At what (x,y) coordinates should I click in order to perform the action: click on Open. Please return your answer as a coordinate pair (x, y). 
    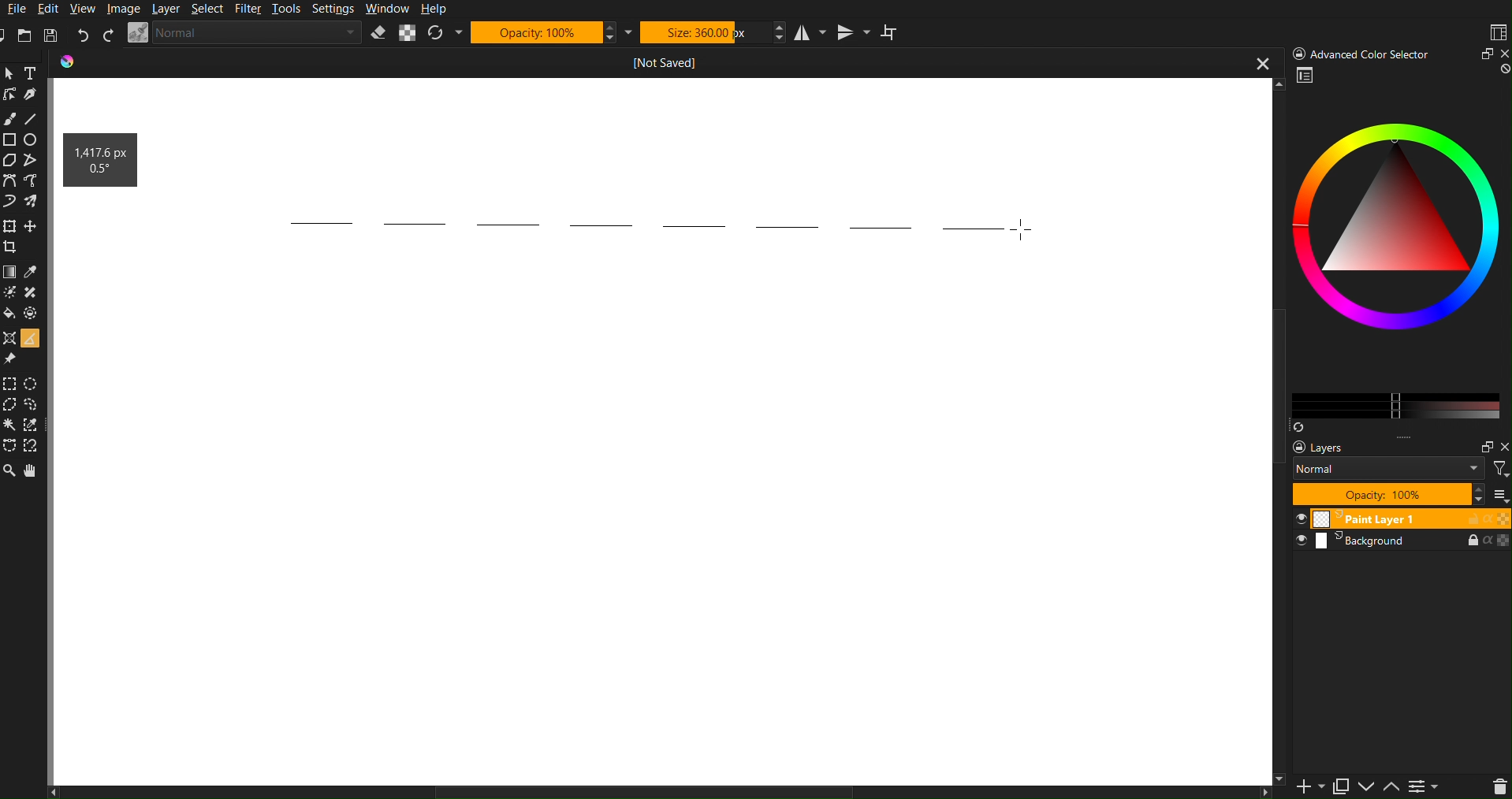
    Looking at the image, I should click on (27, 36).